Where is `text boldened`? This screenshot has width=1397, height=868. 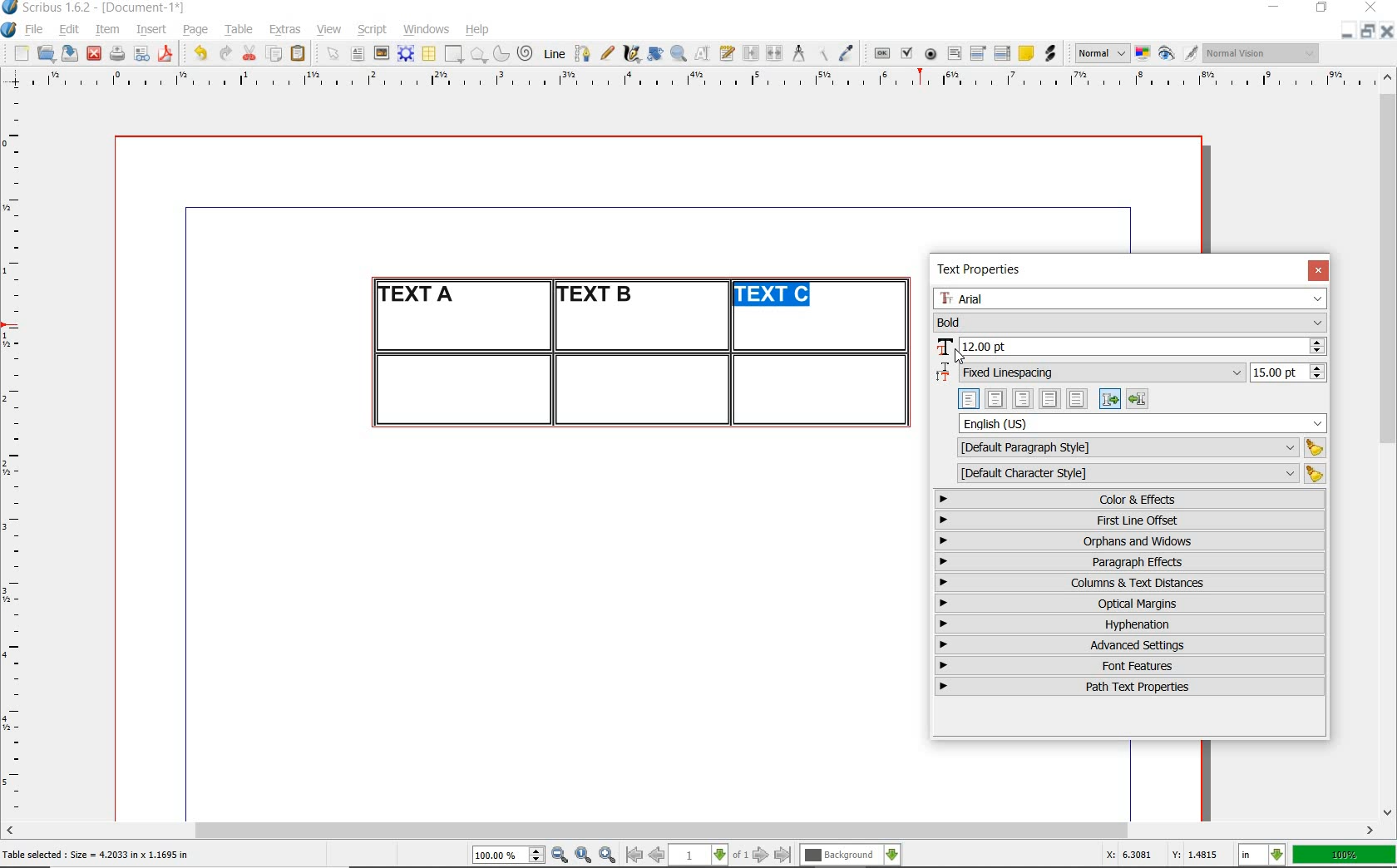 text boldened is located at coordinates (784, 298).